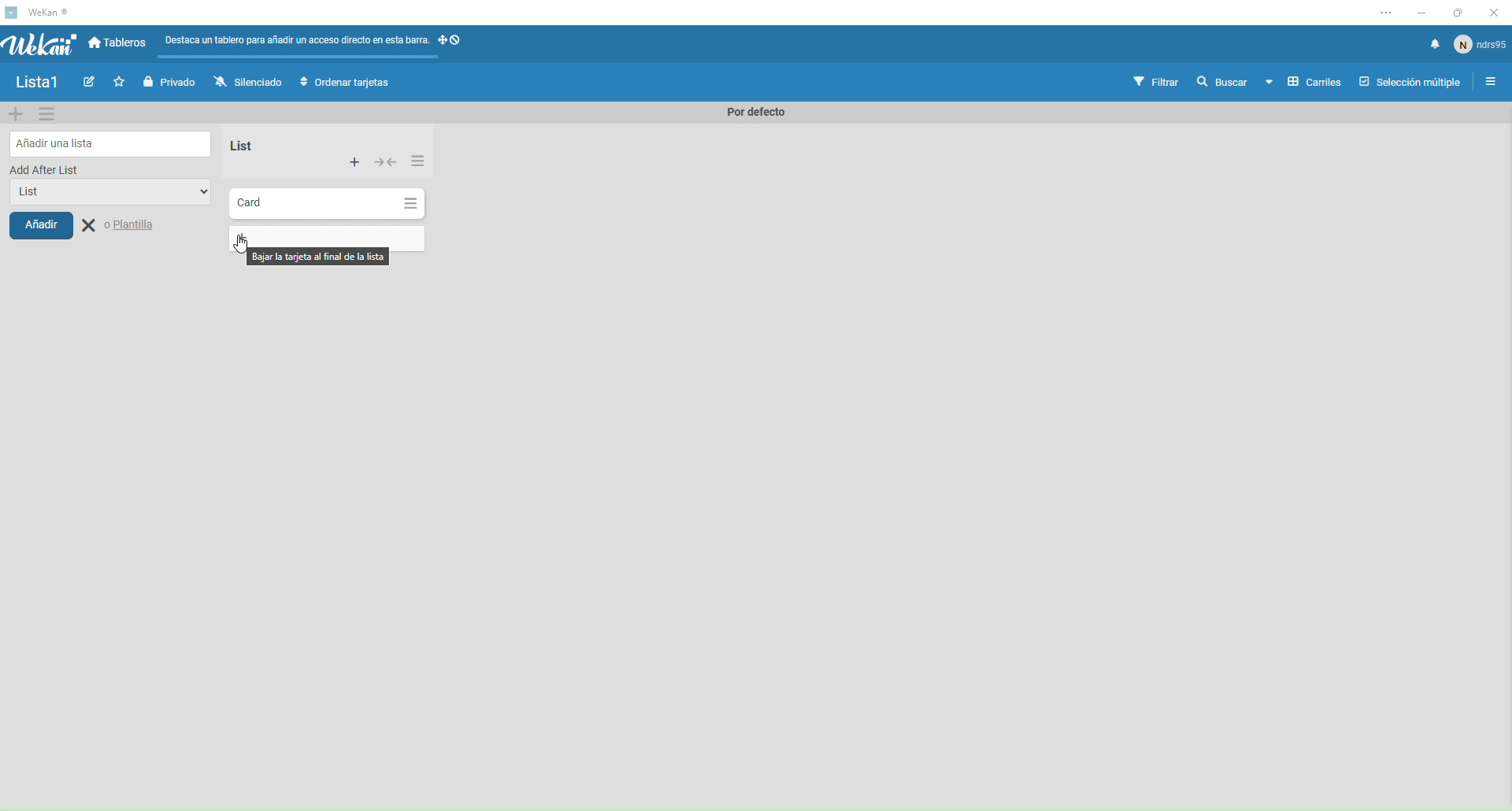 Image resolution: width=1512 pixels, height=811 pixels. Describe the element at coordinates (317, 257) in the screenshot. I see `pop up` at that location.